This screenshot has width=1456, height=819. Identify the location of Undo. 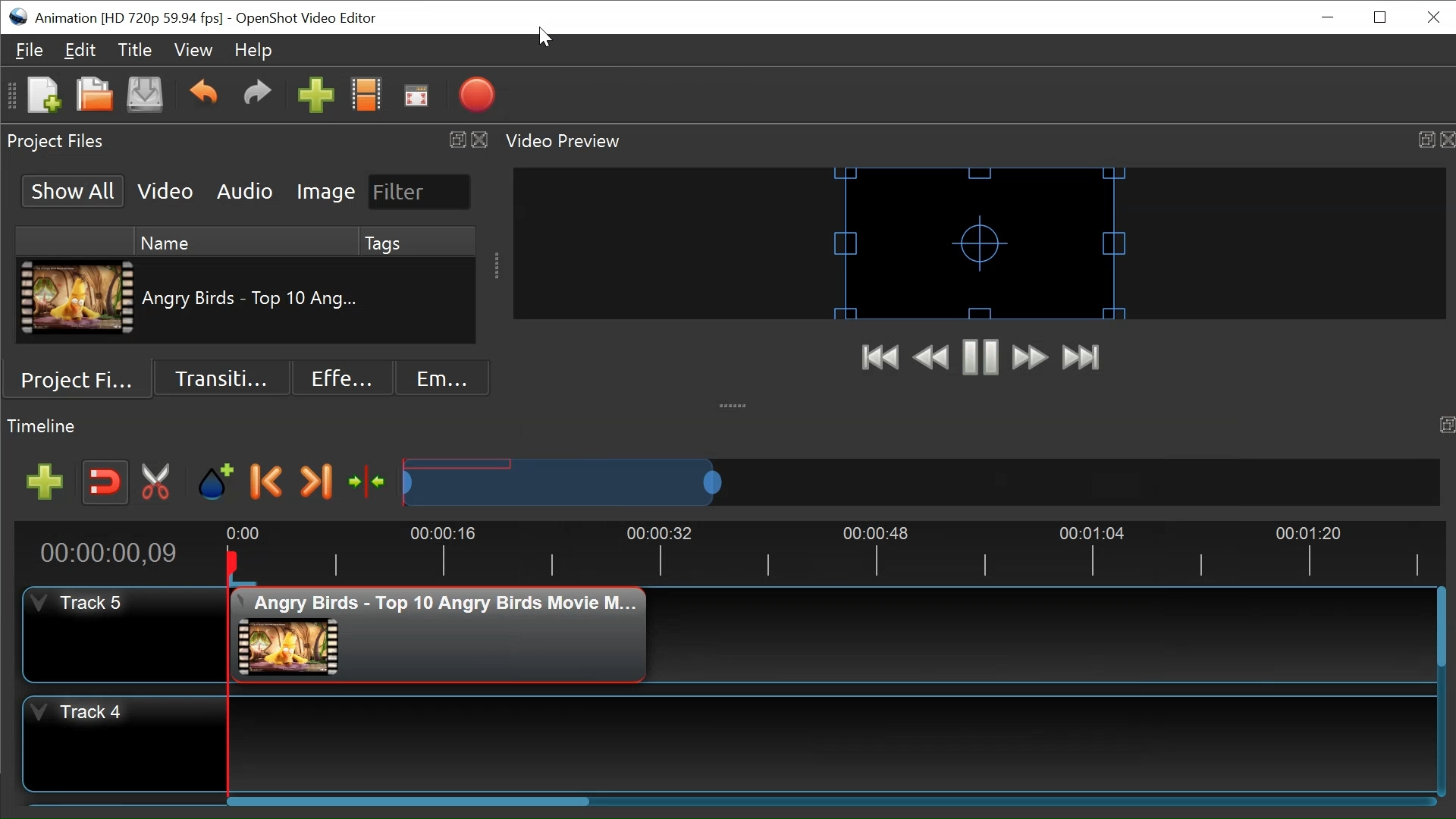
(206, 95).